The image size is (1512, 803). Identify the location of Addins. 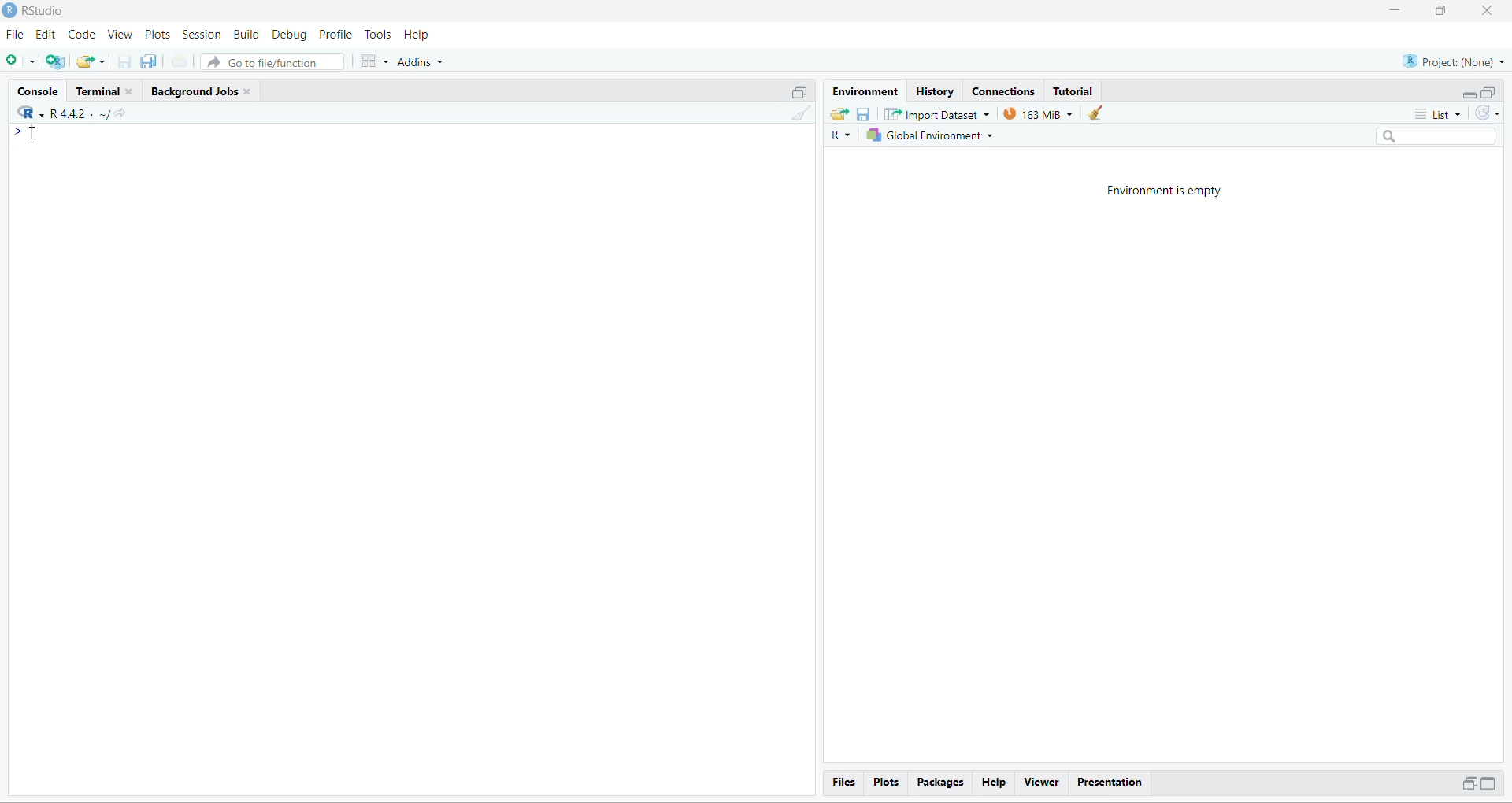
(421, 62).